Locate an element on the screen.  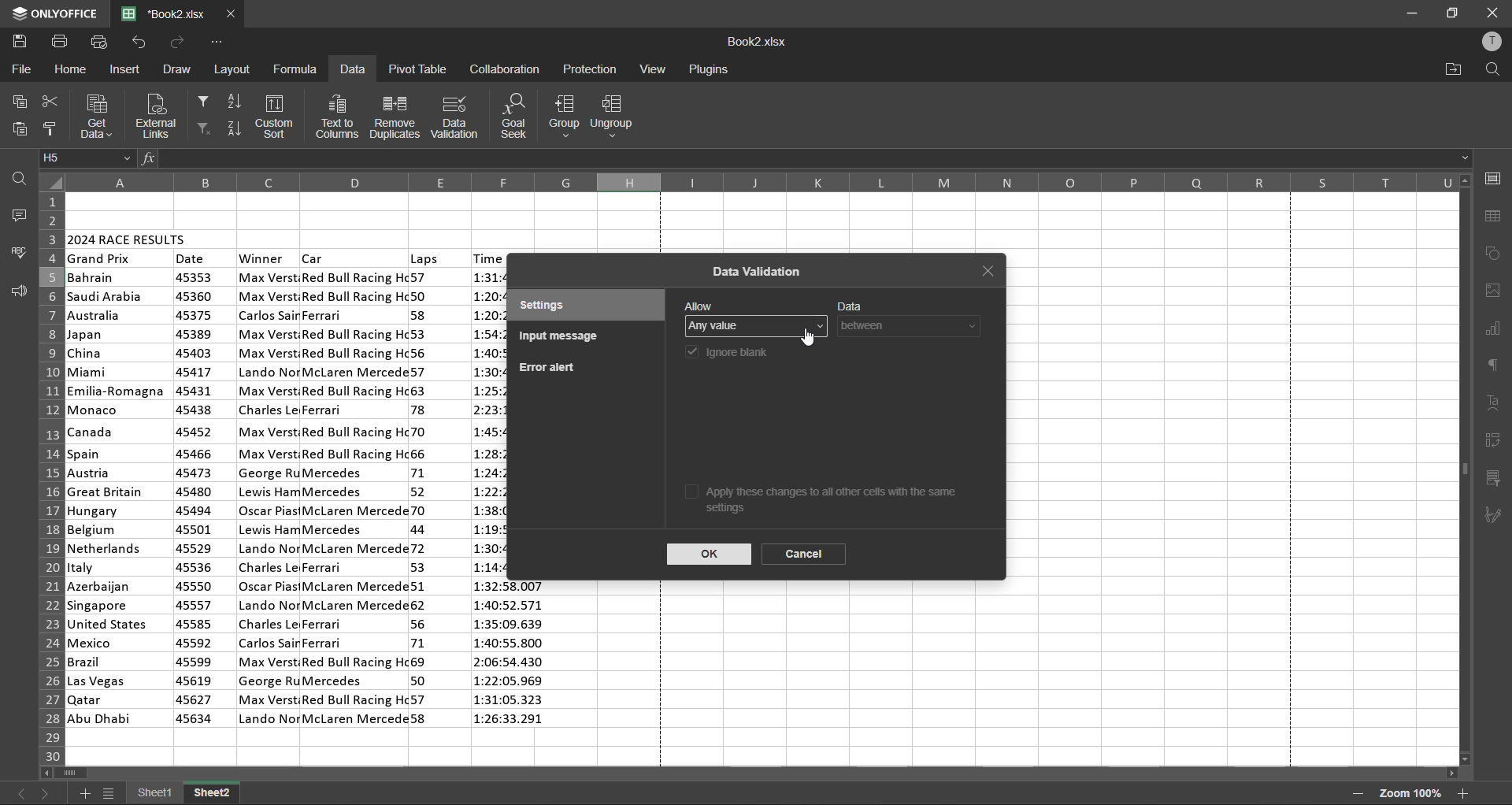
scrollbar is located at coordinates (1465, 469).